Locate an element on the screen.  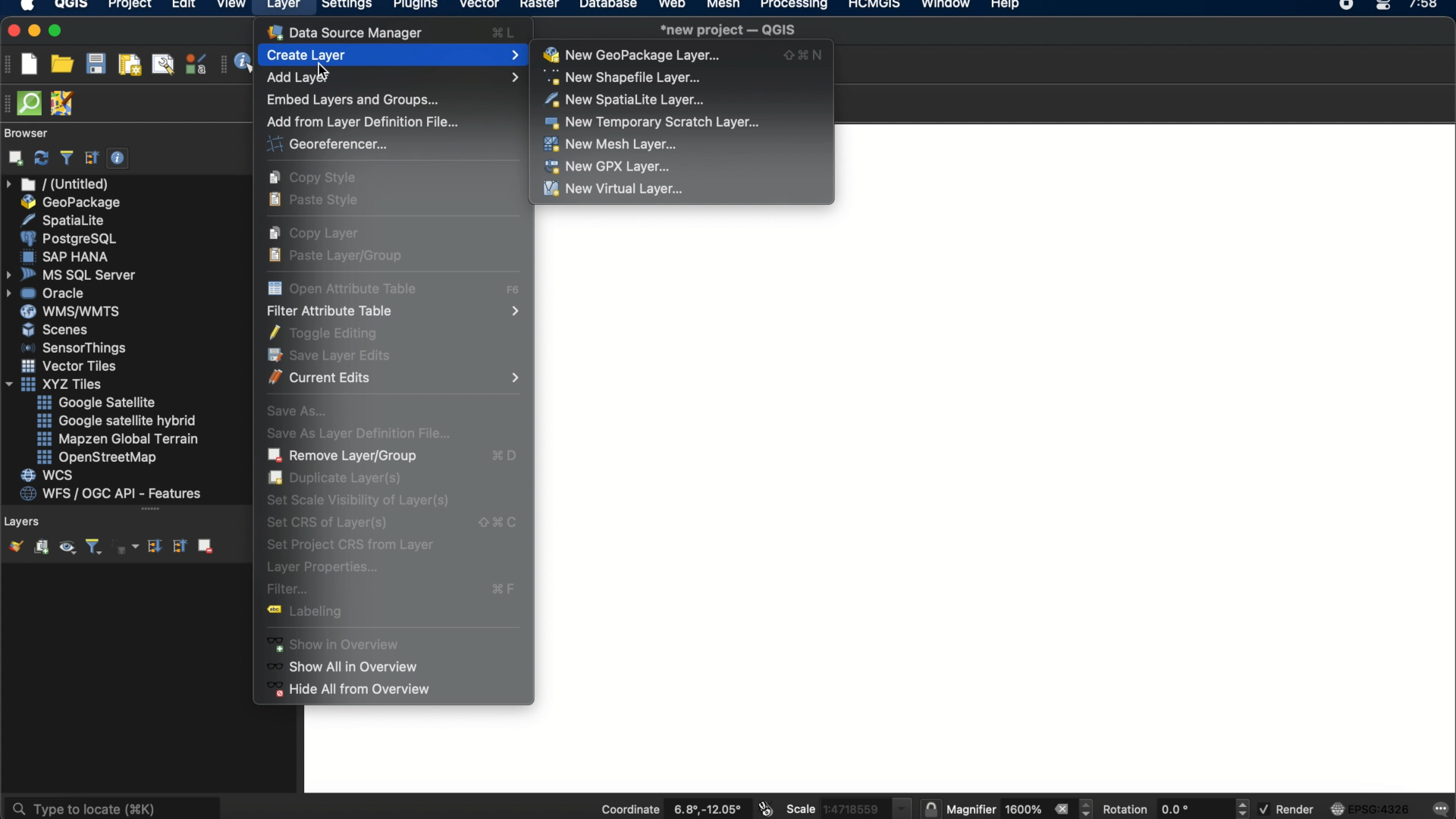
cursor is located at coordinates (329, 71).